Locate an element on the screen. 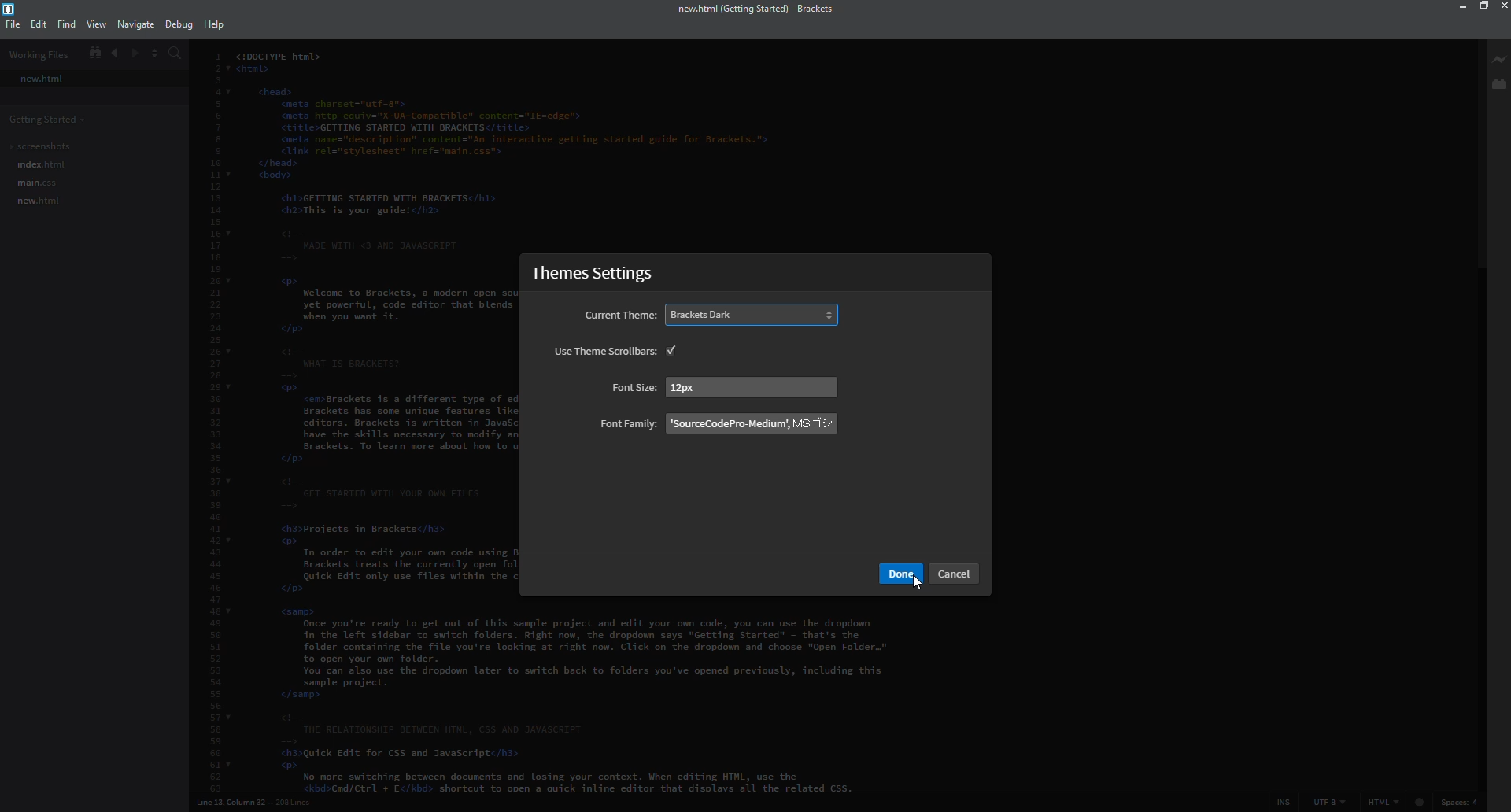   is located at coordinates (957, 575).